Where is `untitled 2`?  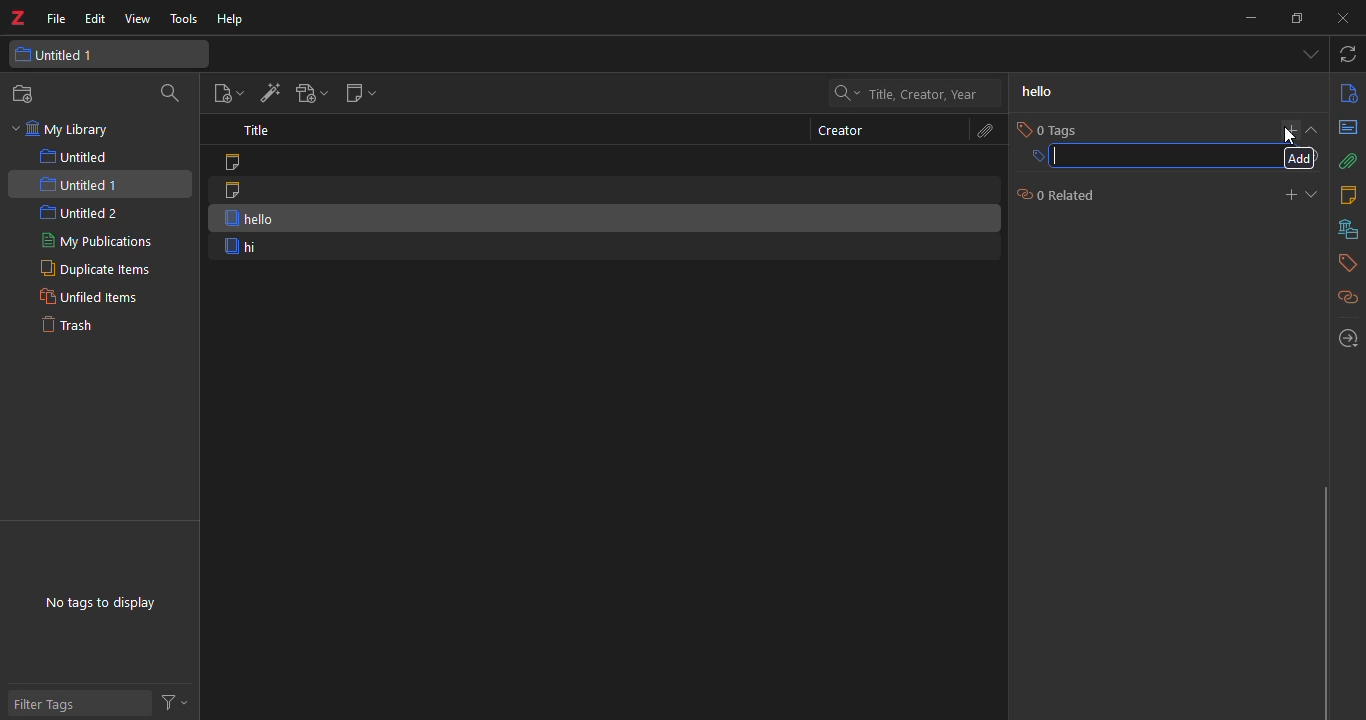 untitled 2 is located at coordinates (80, 213).